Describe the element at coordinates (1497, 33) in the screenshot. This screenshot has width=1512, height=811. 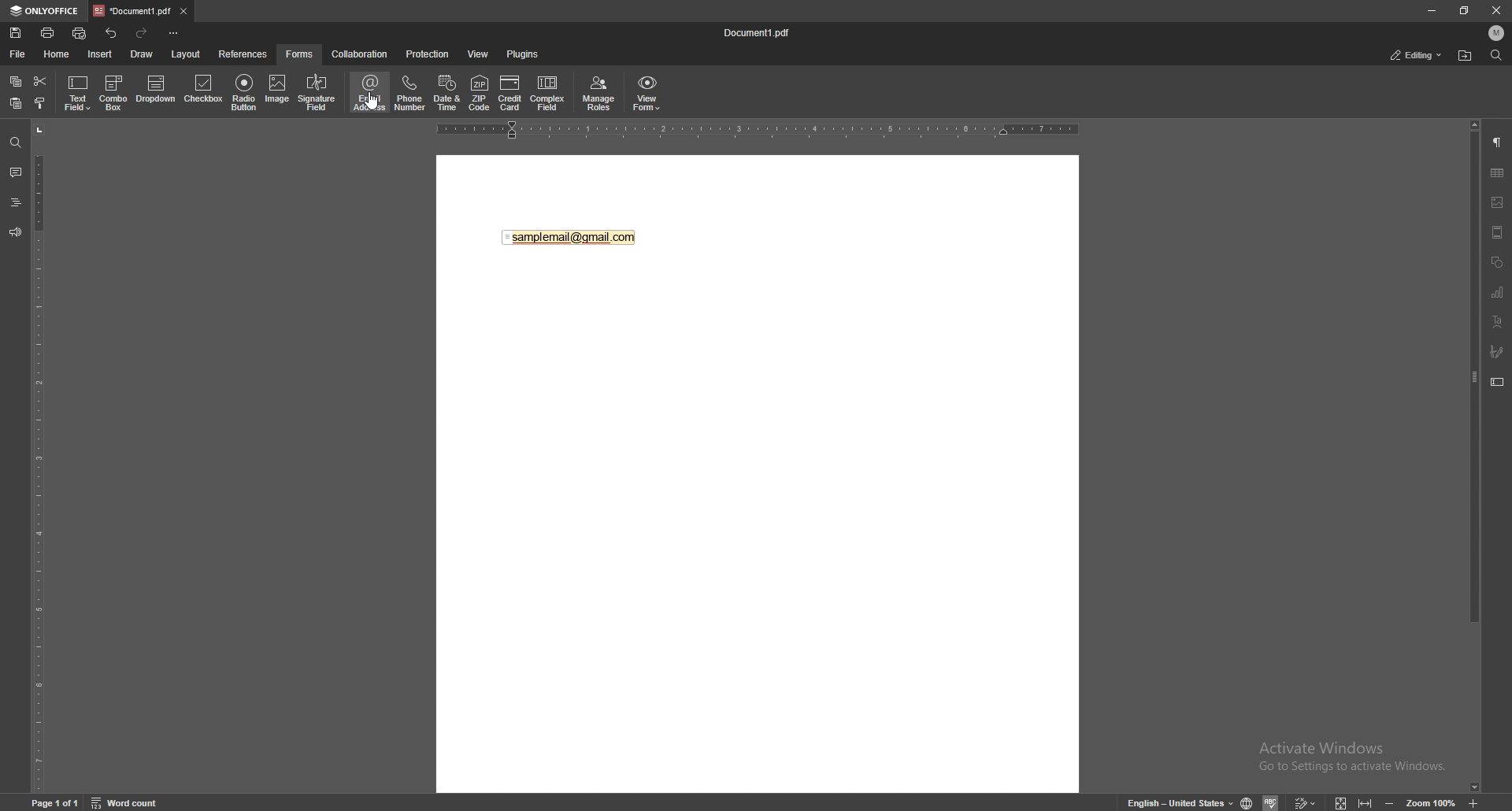
I see `profile` at that location.